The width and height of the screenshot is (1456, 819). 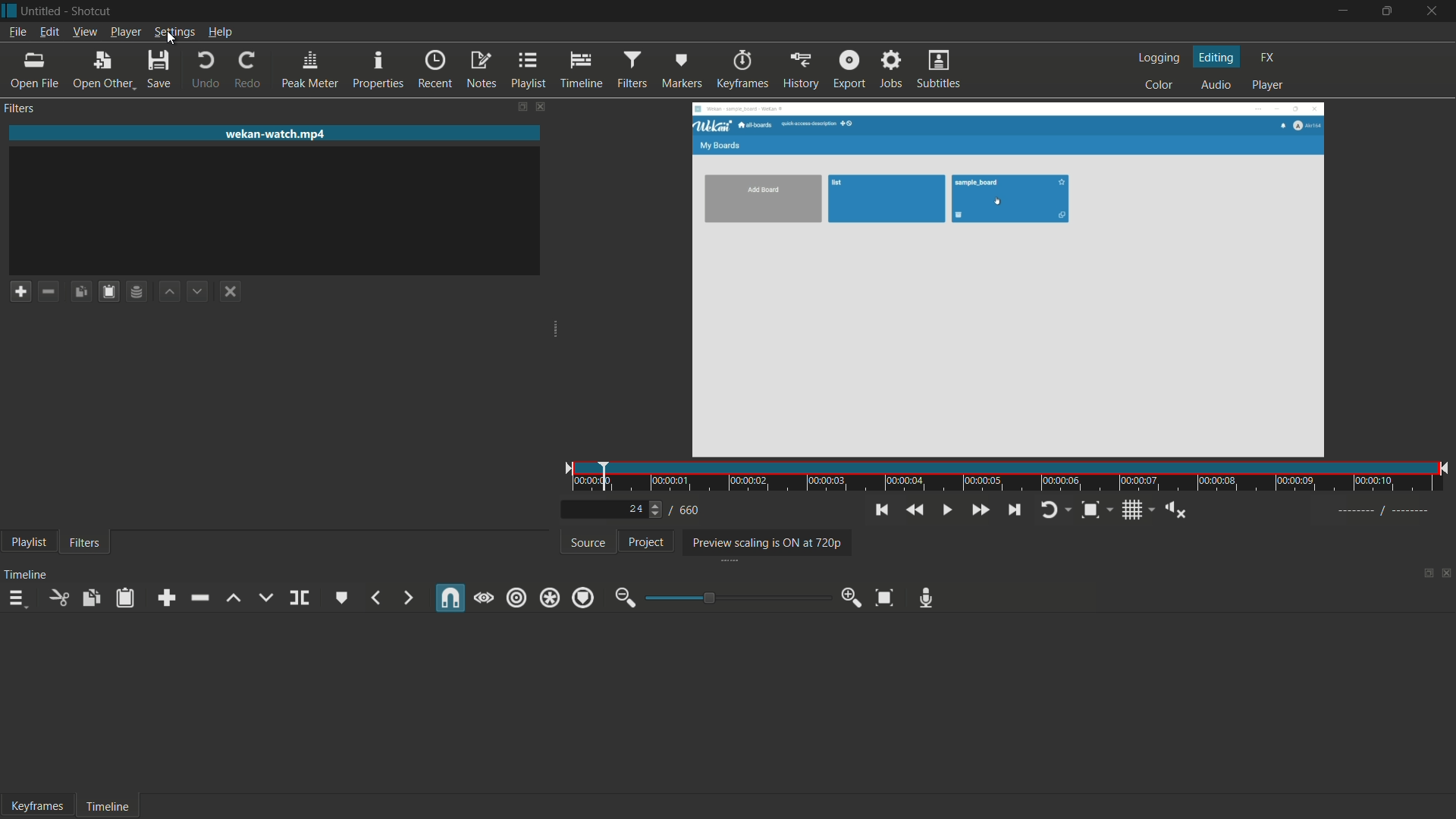 I want to click on help menu, so click(x=218, y=31).